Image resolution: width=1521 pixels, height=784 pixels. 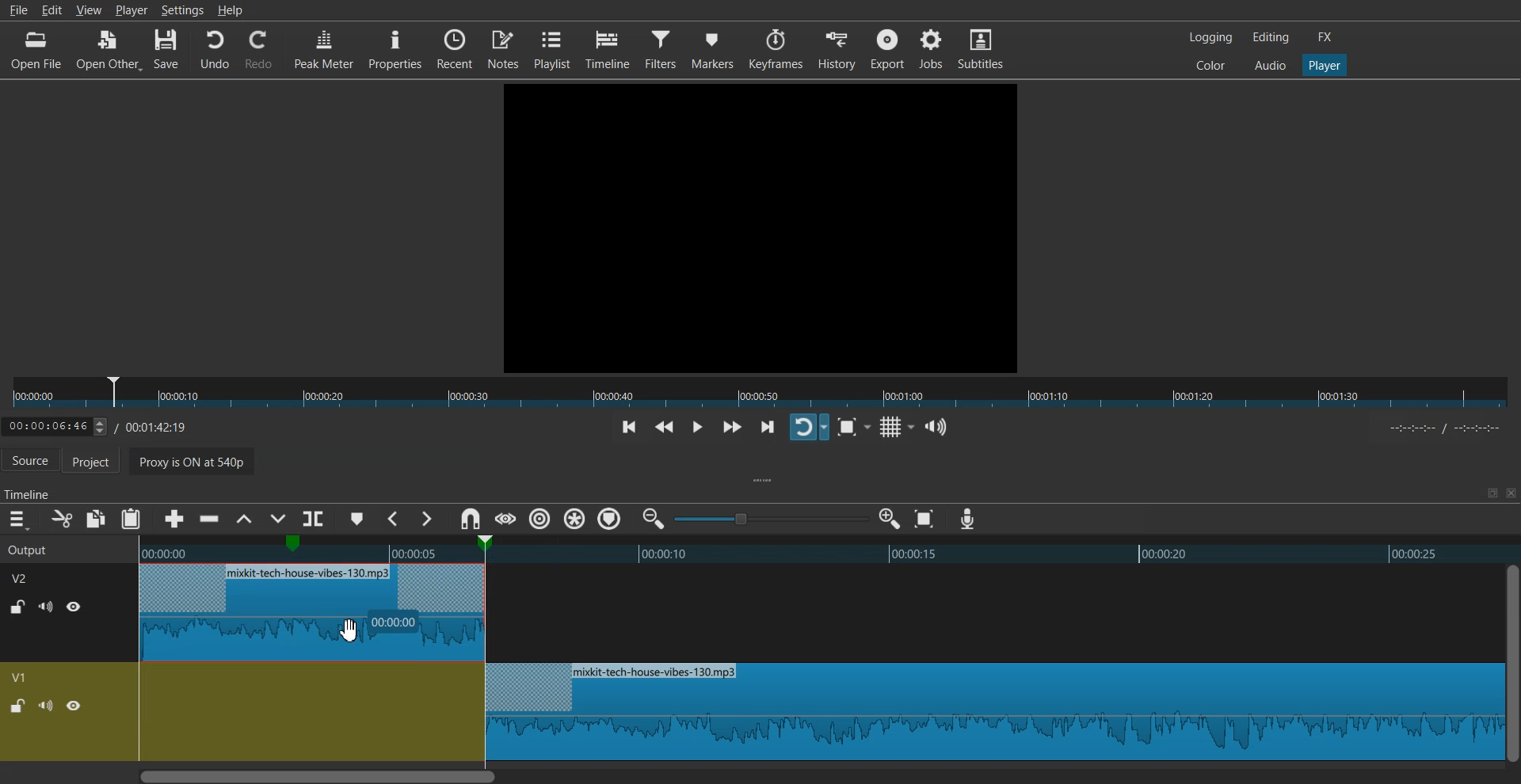 What do you see at coordinates (1211, 37) in the screenshot?
I see `Logging` at bounding box center [1211, 37].